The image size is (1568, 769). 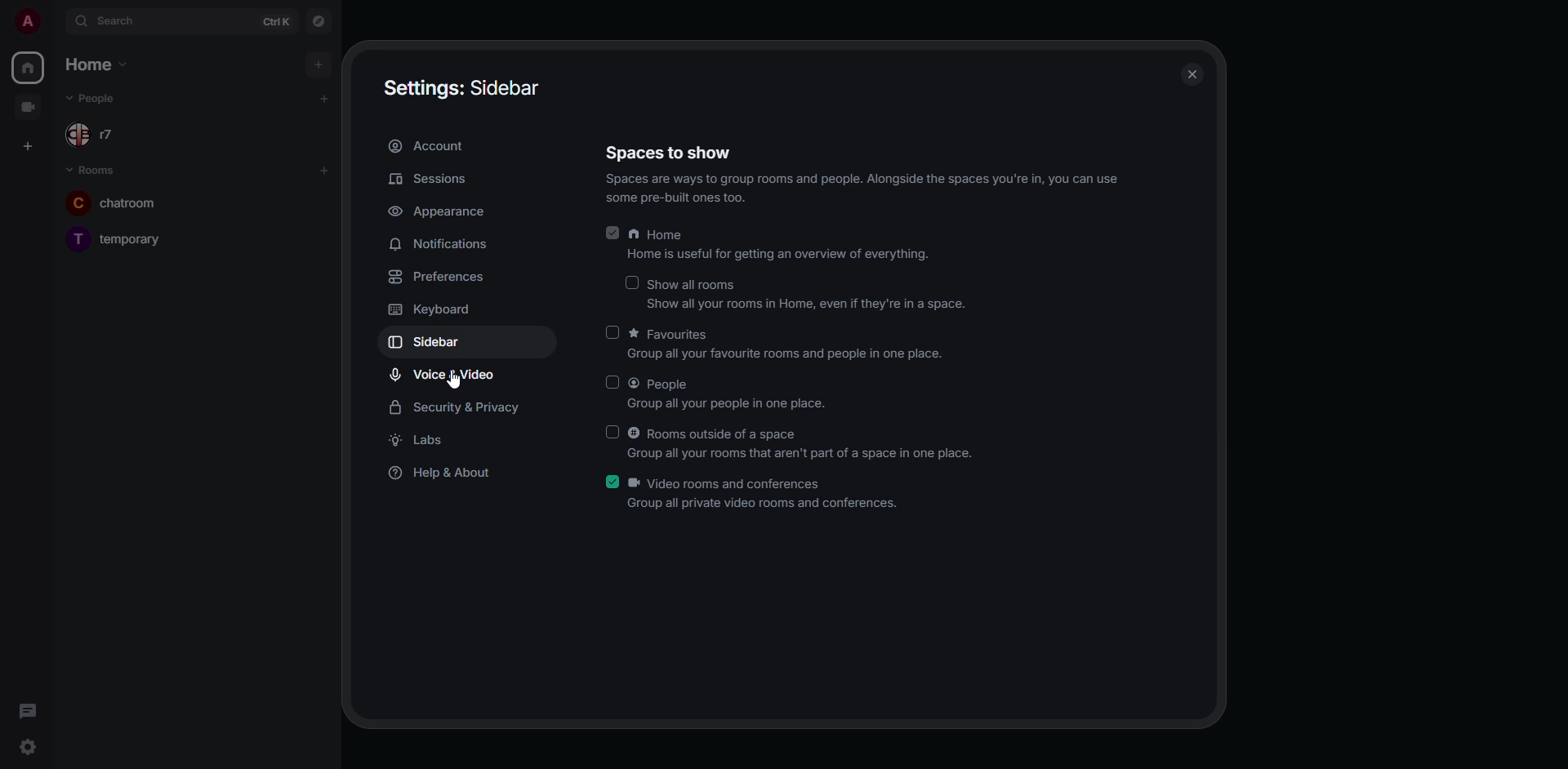 What do you see at coordinates (326, 98) in the screenshot?
I see `add` at bounding box center [326, 98].